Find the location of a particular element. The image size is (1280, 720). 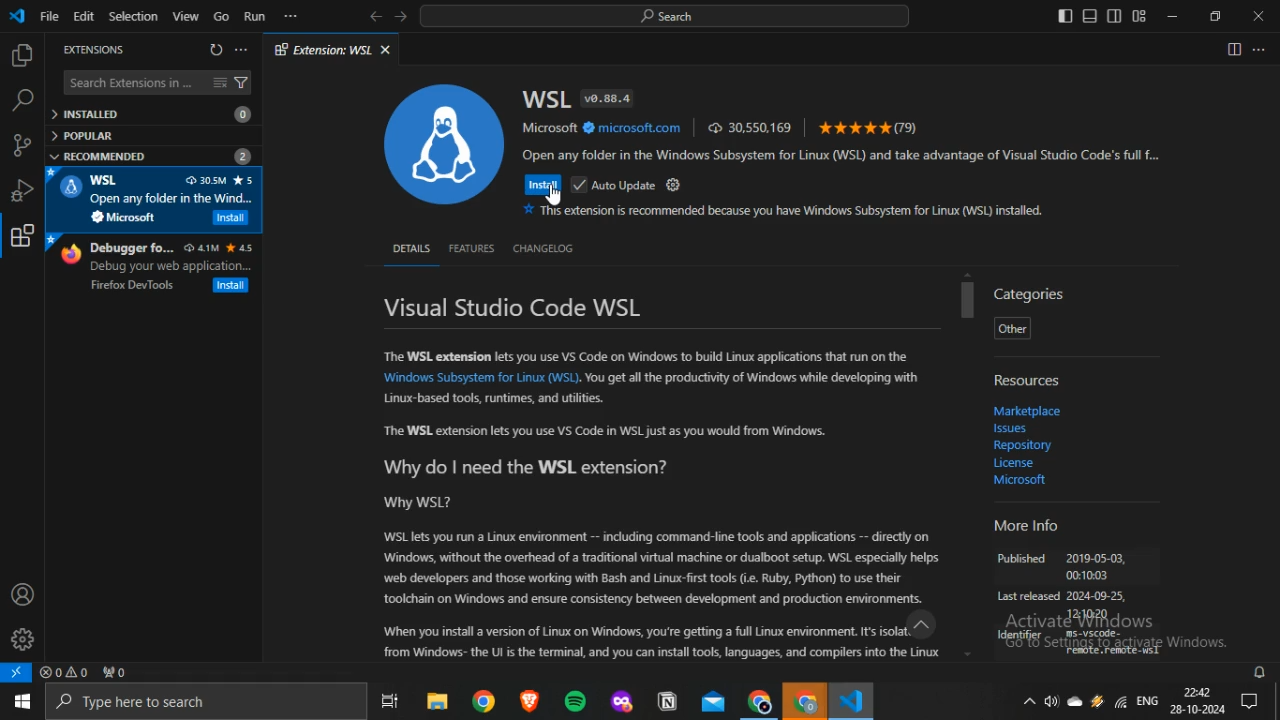

Selection is located at coordinates (132, 16).